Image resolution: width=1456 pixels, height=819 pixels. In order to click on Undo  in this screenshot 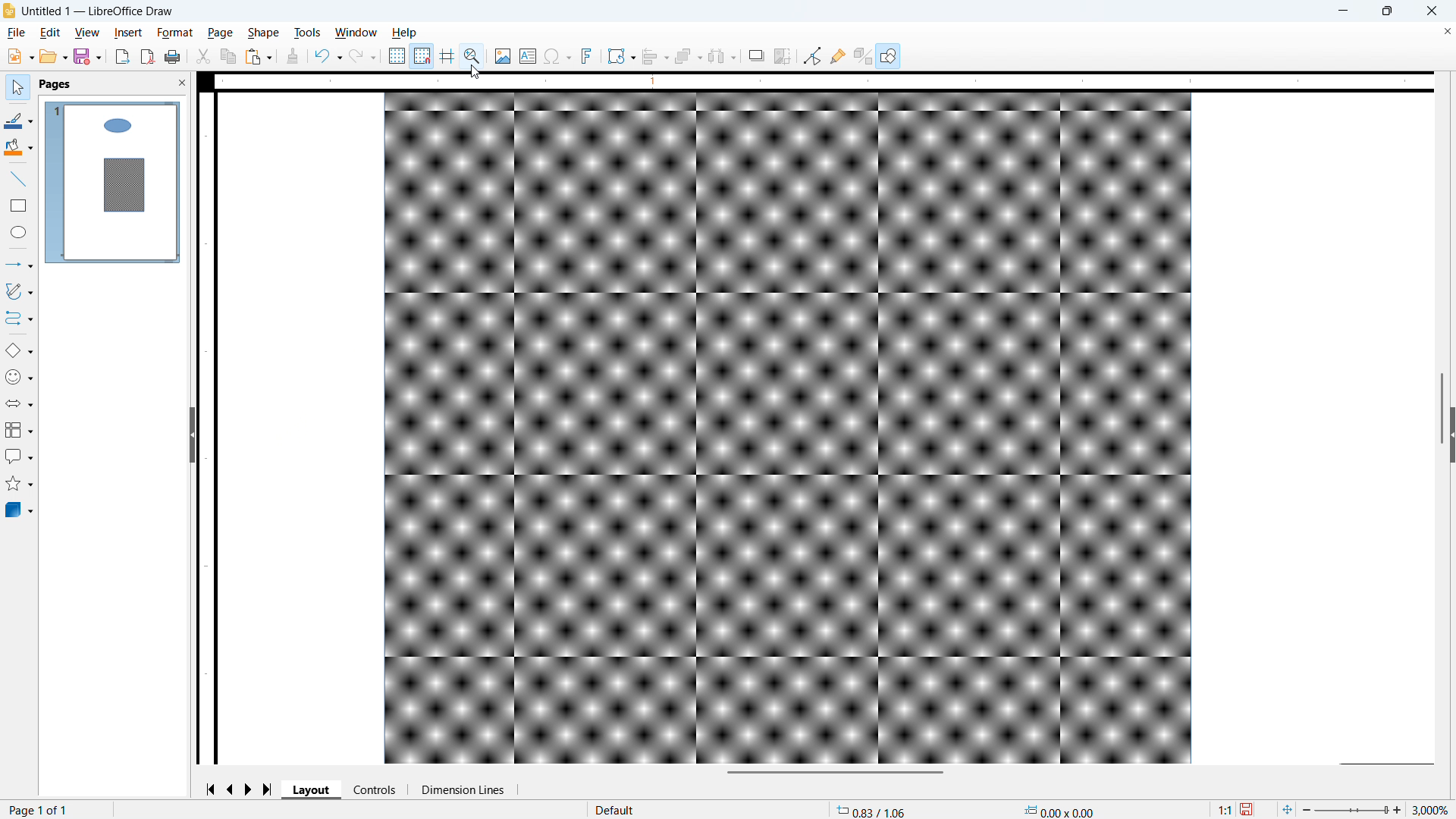, I will do `click(328, 56)`.